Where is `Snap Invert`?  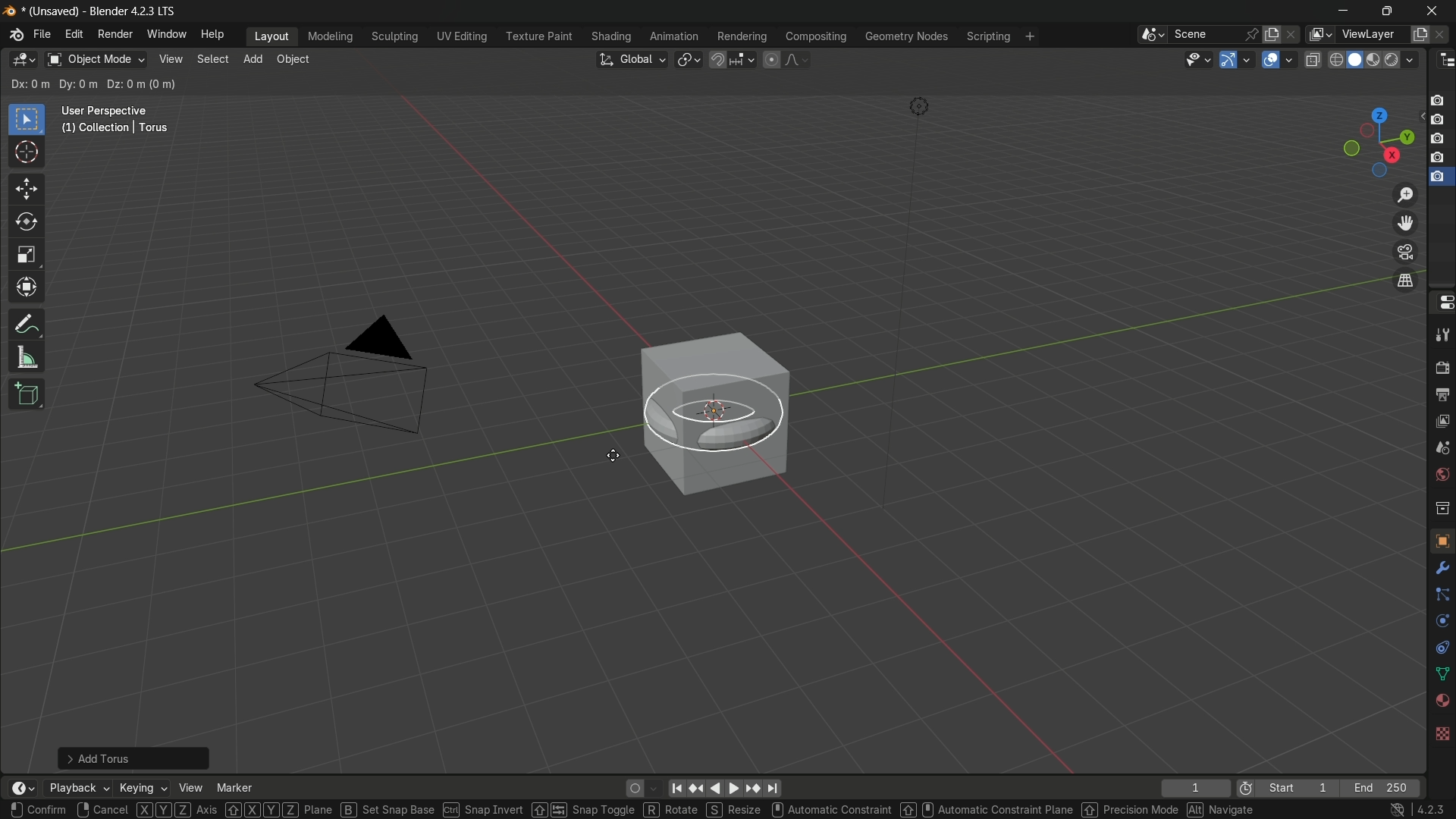 Snap Invert is located at coordinates (485, 808).